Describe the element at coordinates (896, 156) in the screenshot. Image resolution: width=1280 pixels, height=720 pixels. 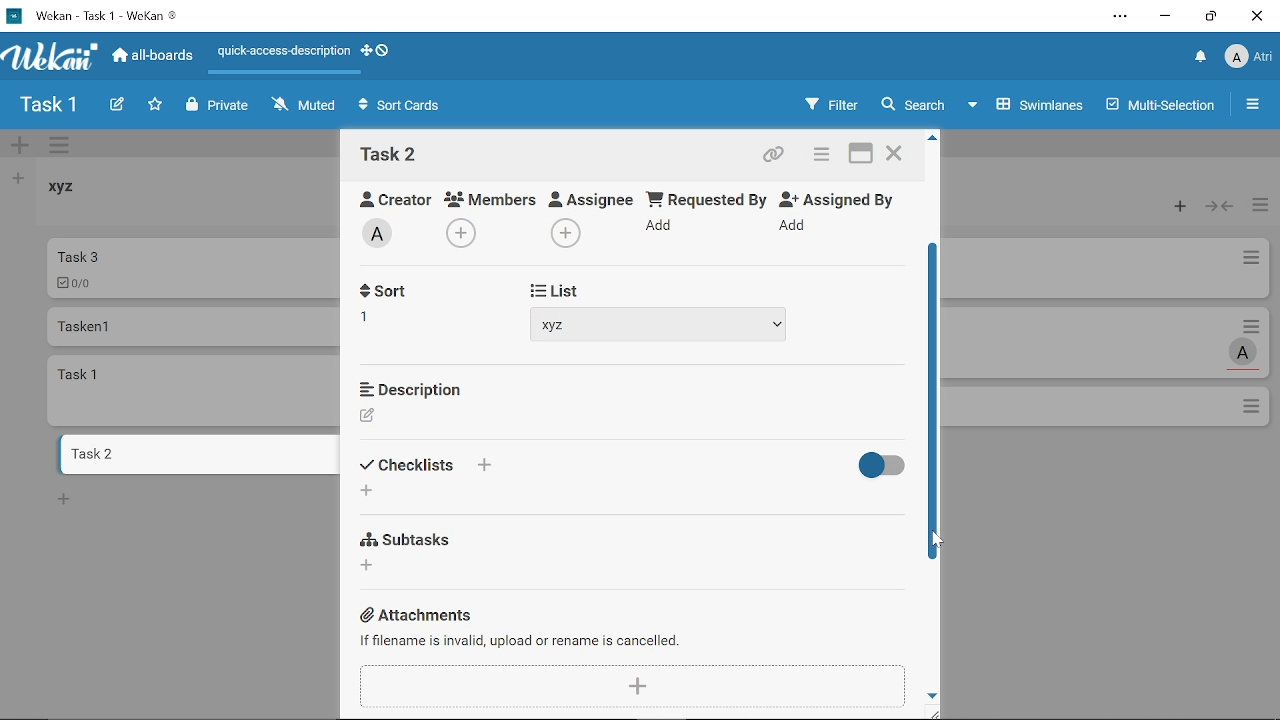
I see `Close card` at that location.